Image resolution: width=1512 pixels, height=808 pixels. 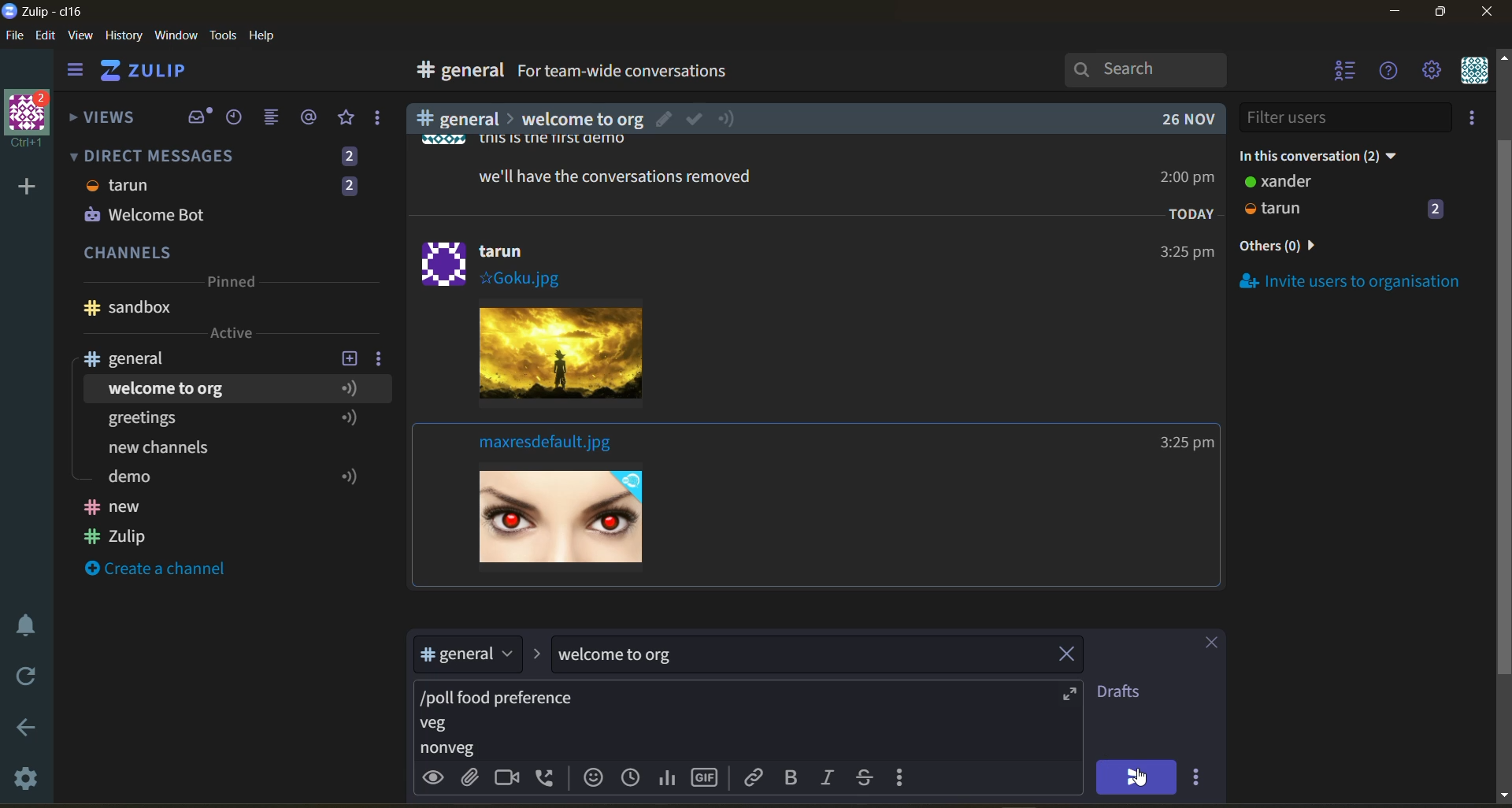 What do you see at coordinates (1347, 117) in the screenshot?
I see `filter users` at bounding box center [1347, 117].